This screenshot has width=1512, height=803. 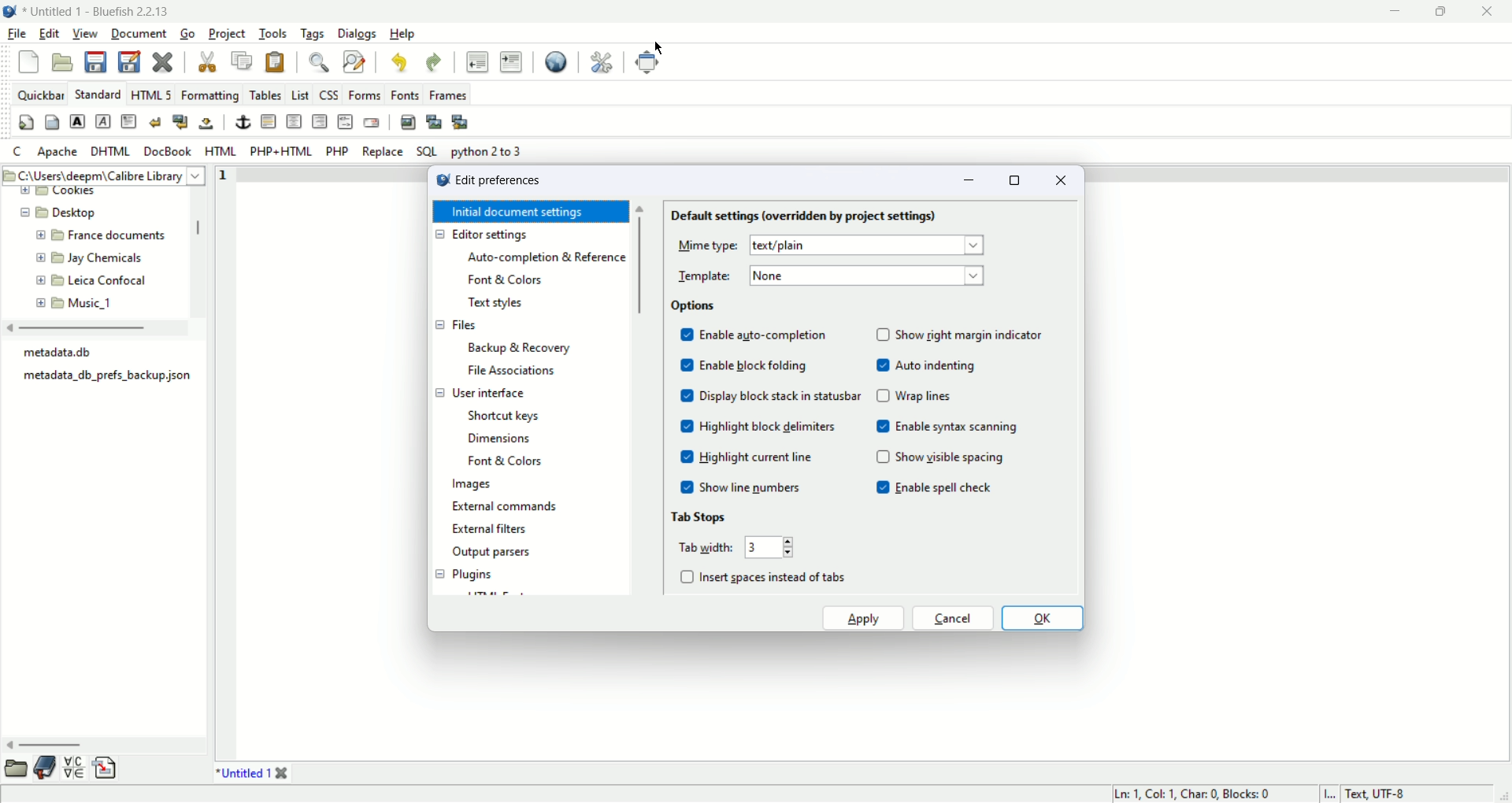 I want to click on Text styles, so click(x=506, y=303).